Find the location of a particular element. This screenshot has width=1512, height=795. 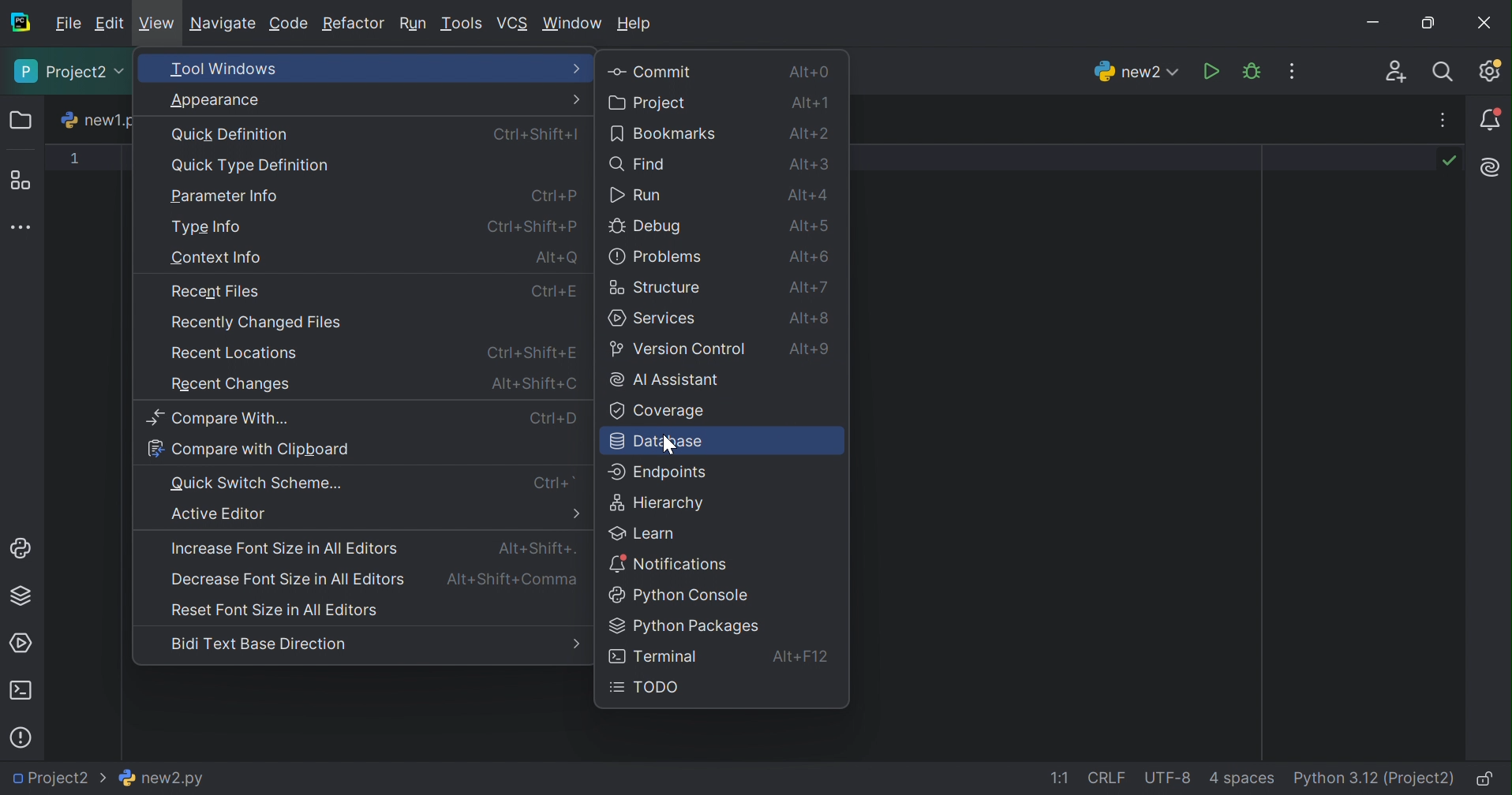

Services is located at coordinates (21, 645).